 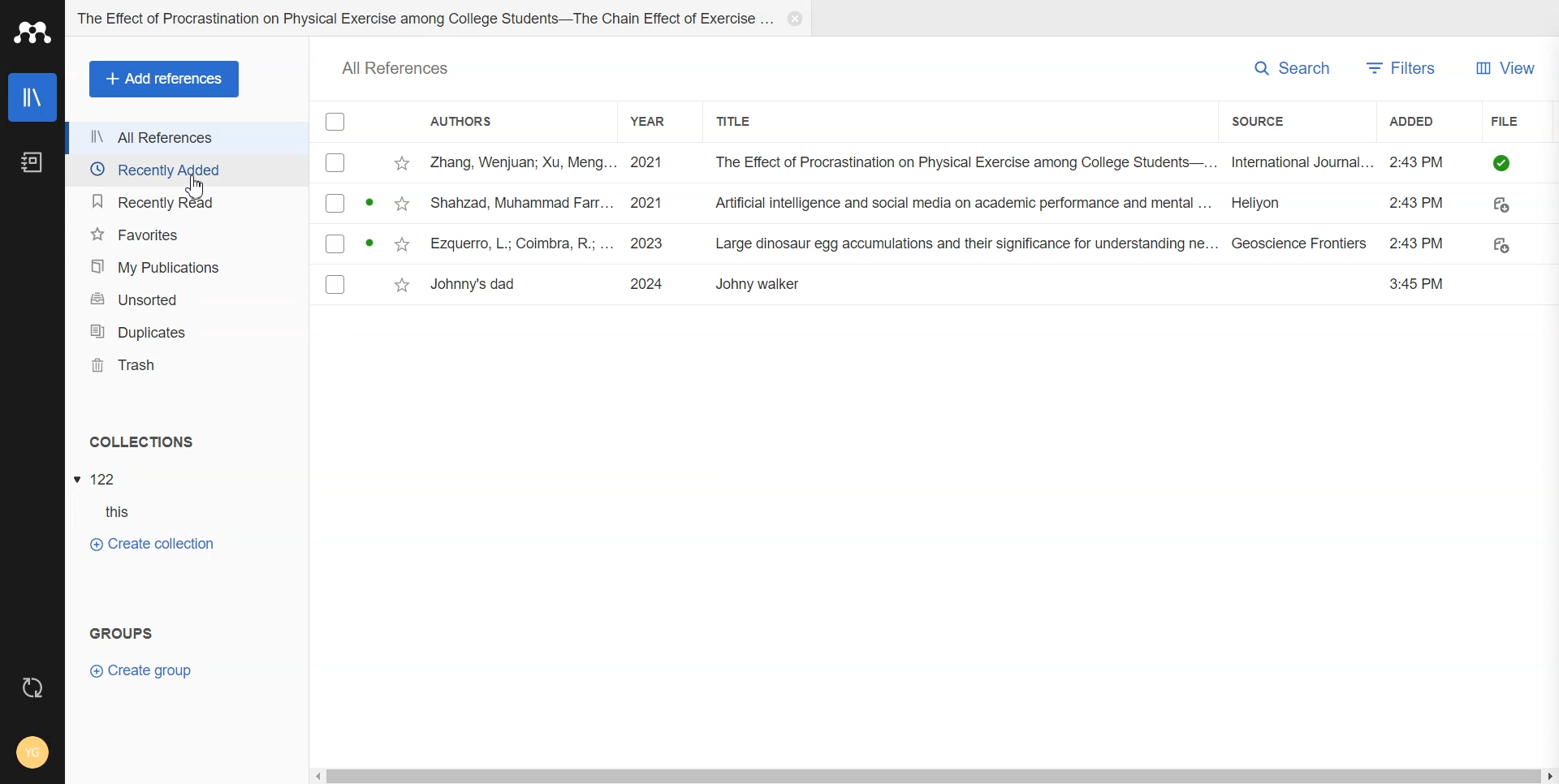 I want to click on Year, so click(x=657, y=122).